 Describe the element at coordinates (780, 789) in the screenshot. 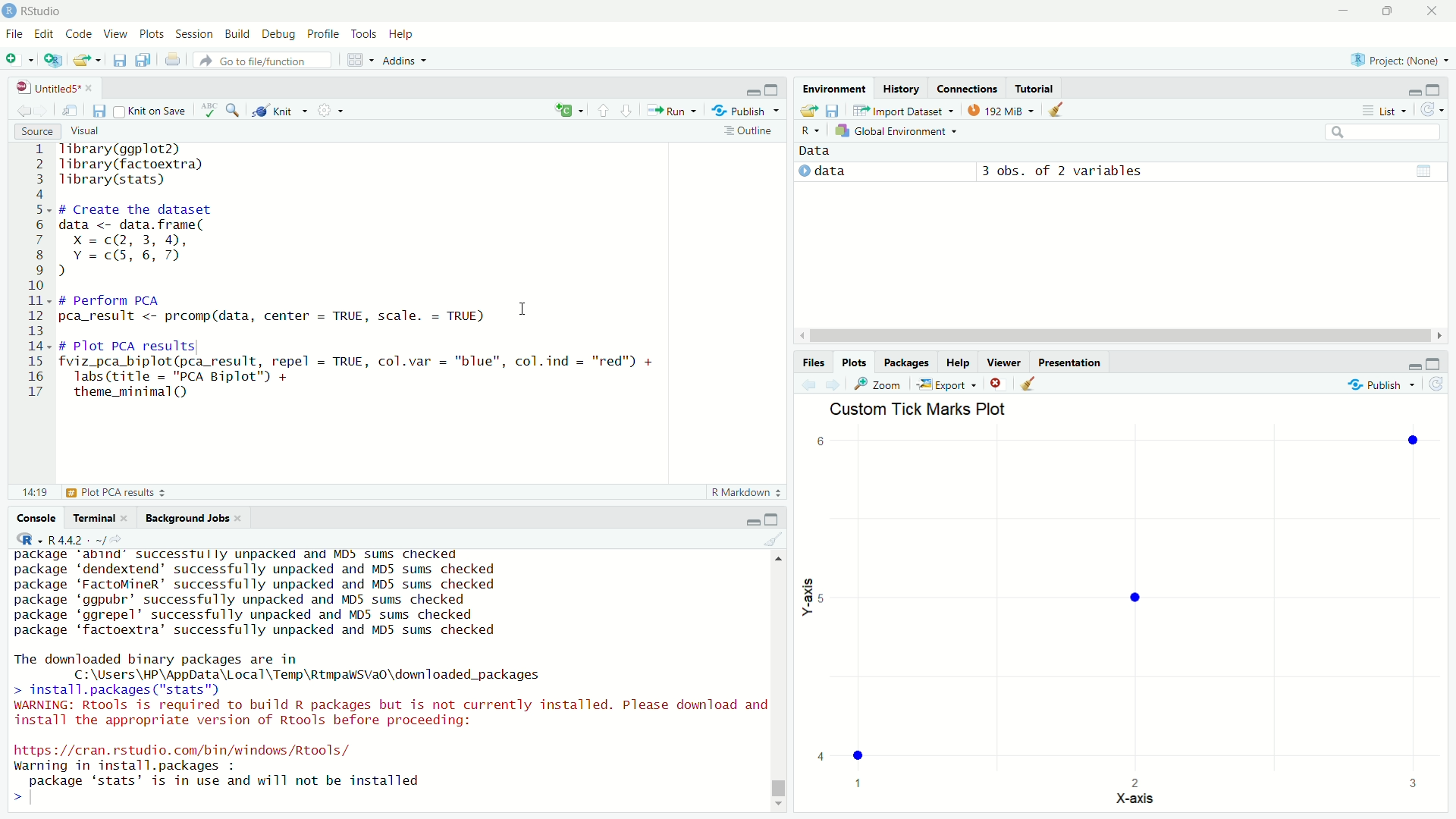

I see `vertical scrollbar` at that location.